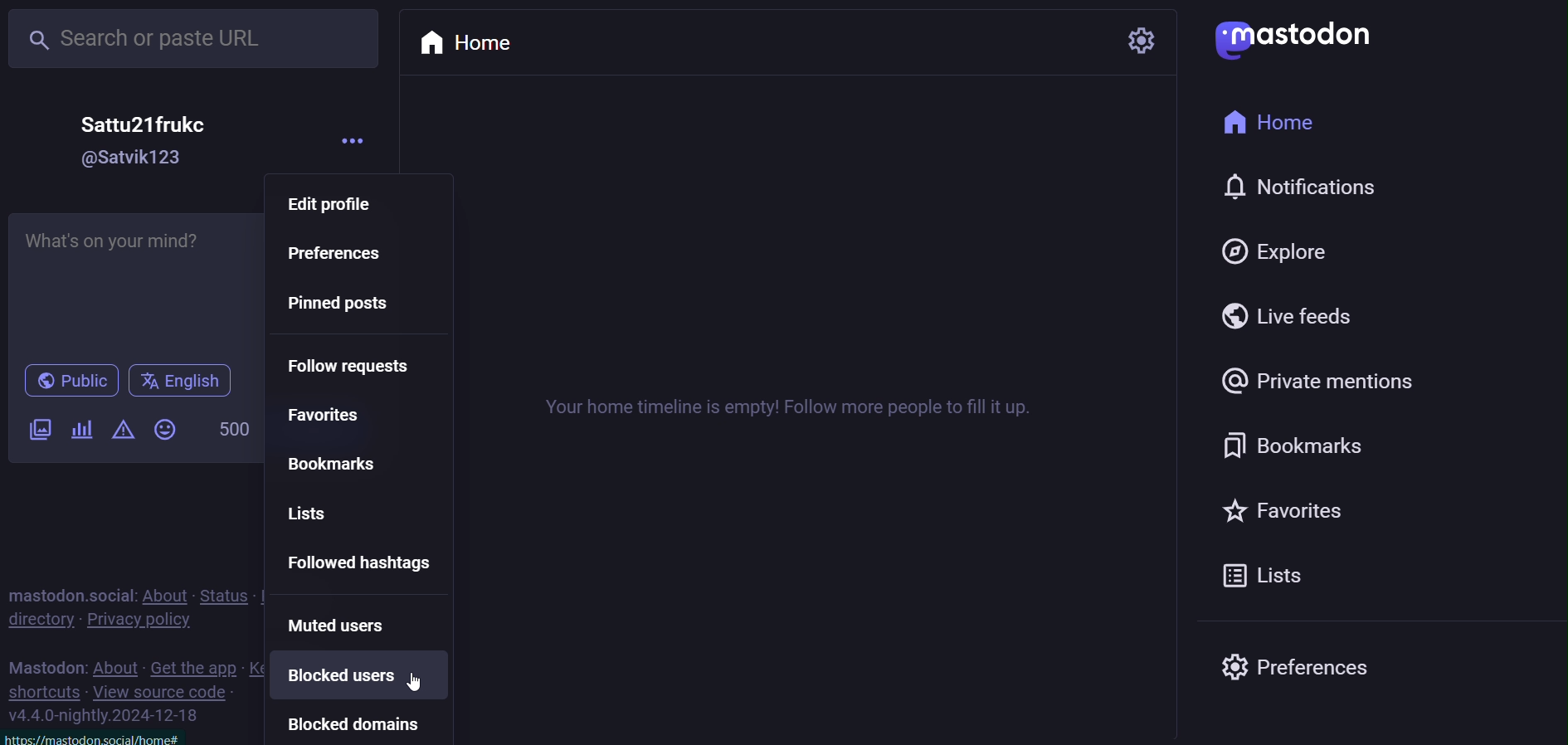 The height and width of the screenshot is (745, 1568). I want to click on 500, so click(231, 426).